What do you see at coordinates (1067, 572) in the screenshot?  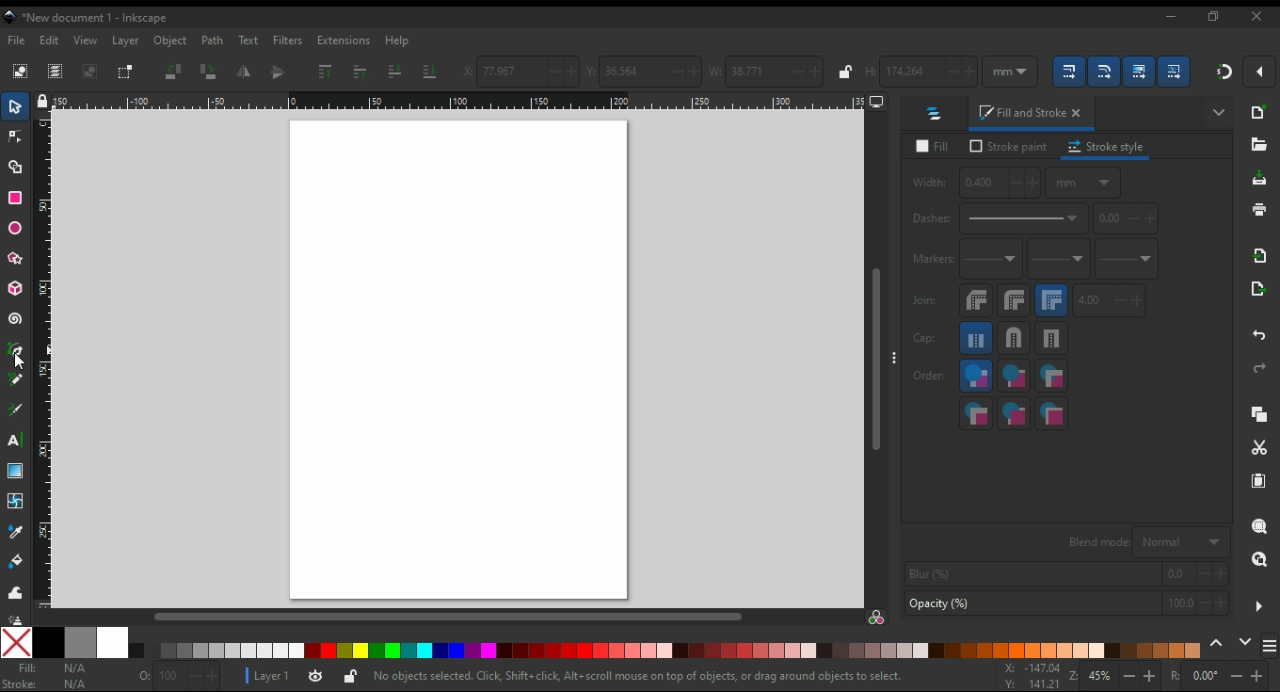 I see `blur` at bounding box center [1067, 572].